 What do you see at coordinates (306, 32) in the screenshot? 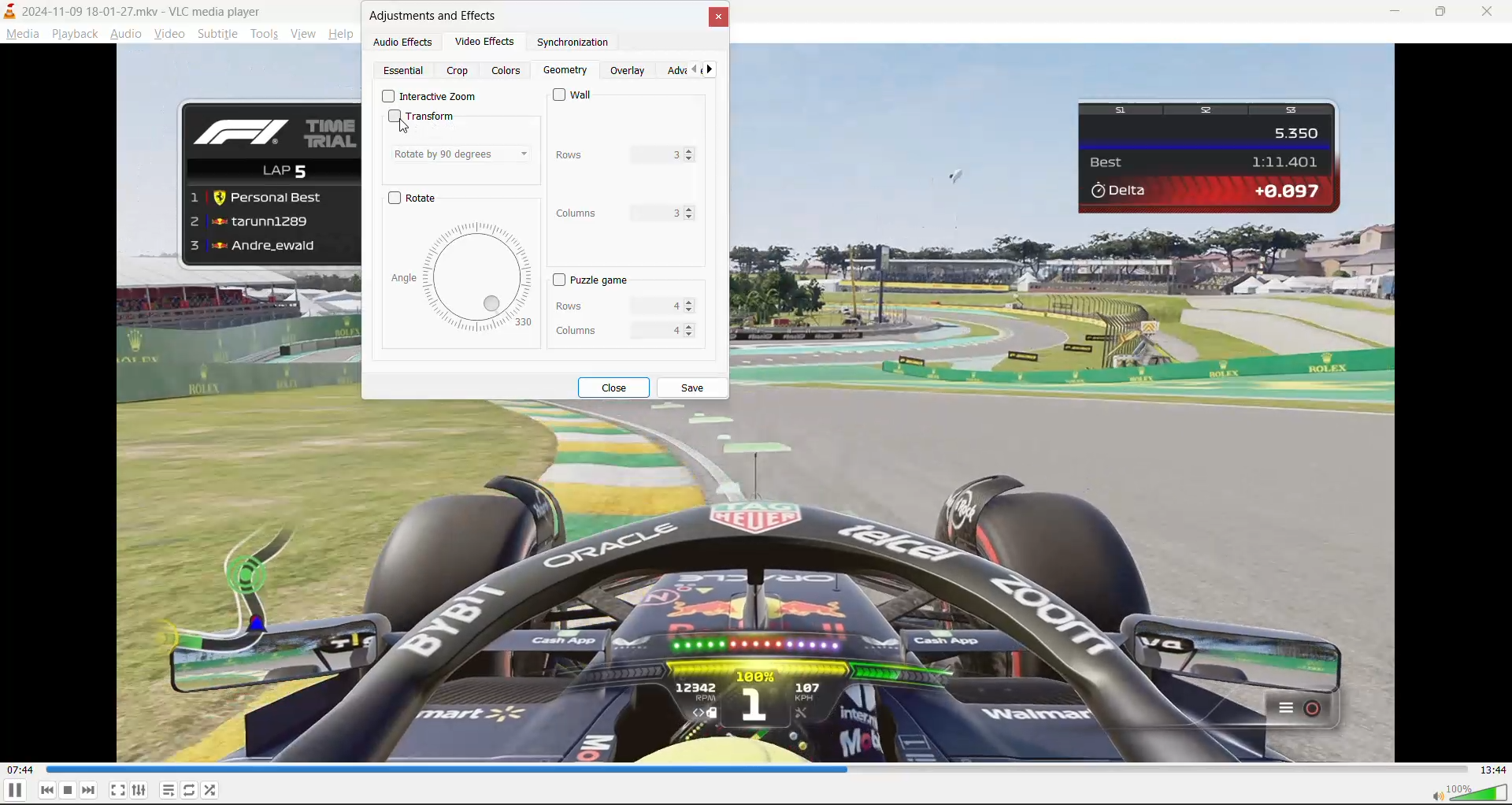
I see `view` at bounding box center [306, 32].